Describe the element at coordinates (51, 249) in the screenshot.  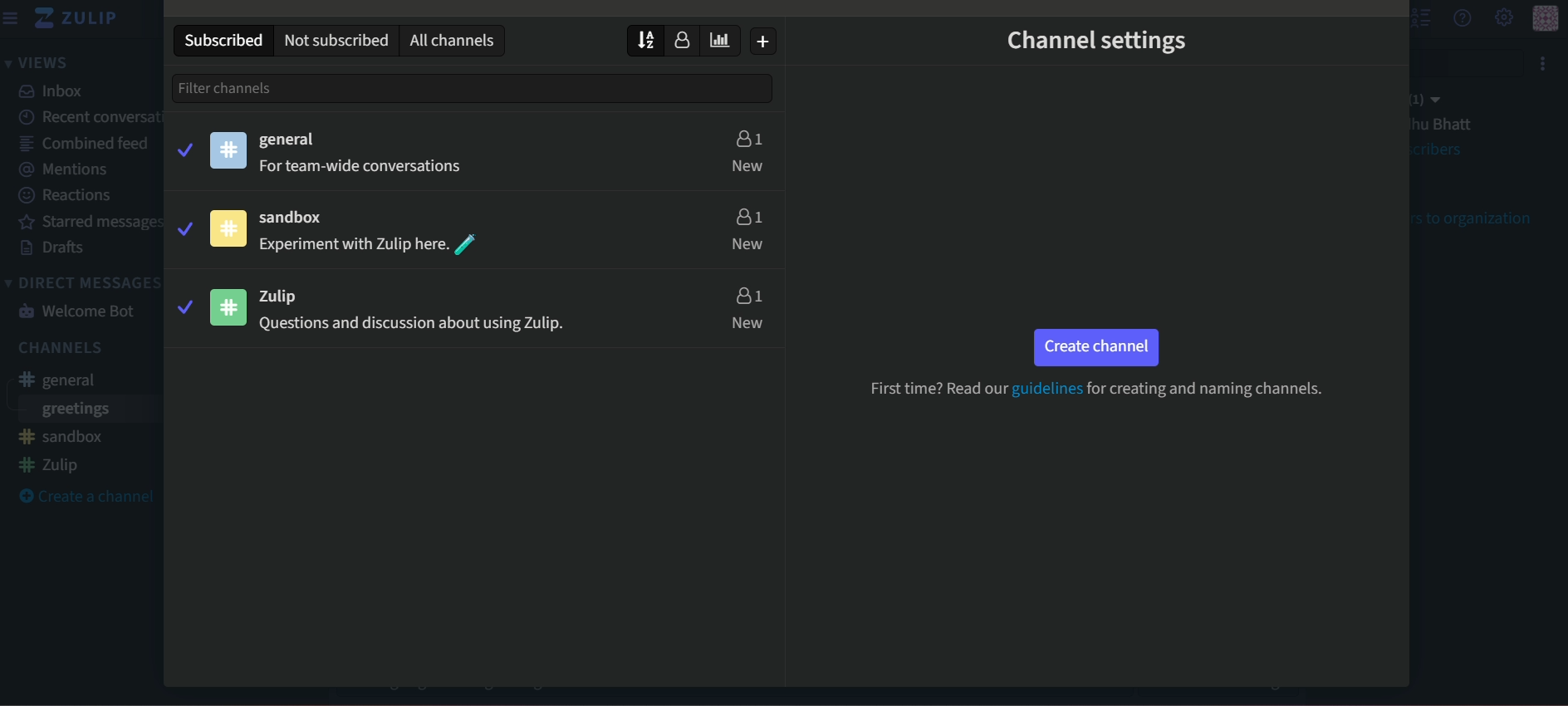
I see `Drafts` at that location.